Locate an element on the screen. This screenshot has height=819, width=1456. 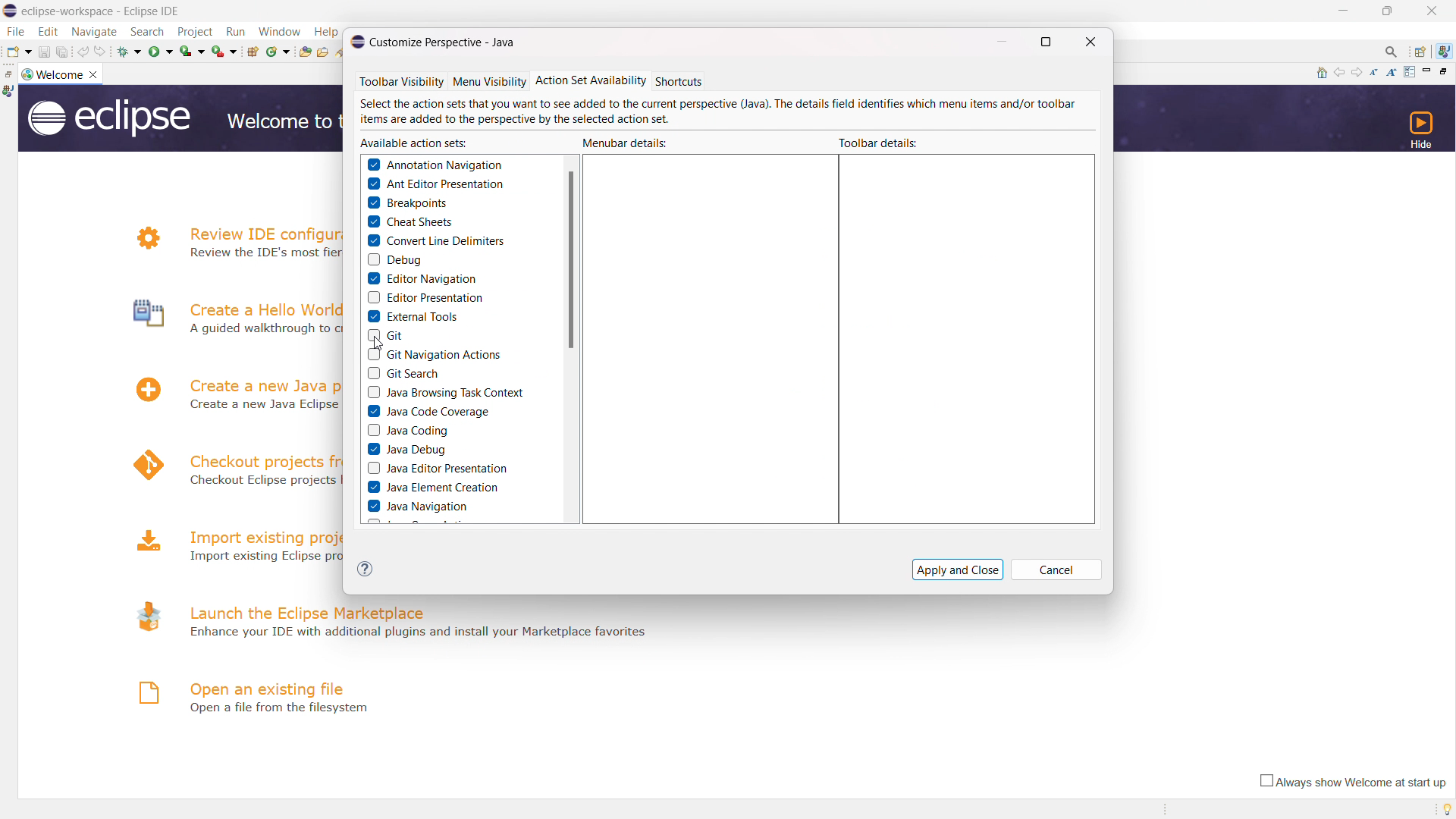
(?) is located at coordinates (364, 570).